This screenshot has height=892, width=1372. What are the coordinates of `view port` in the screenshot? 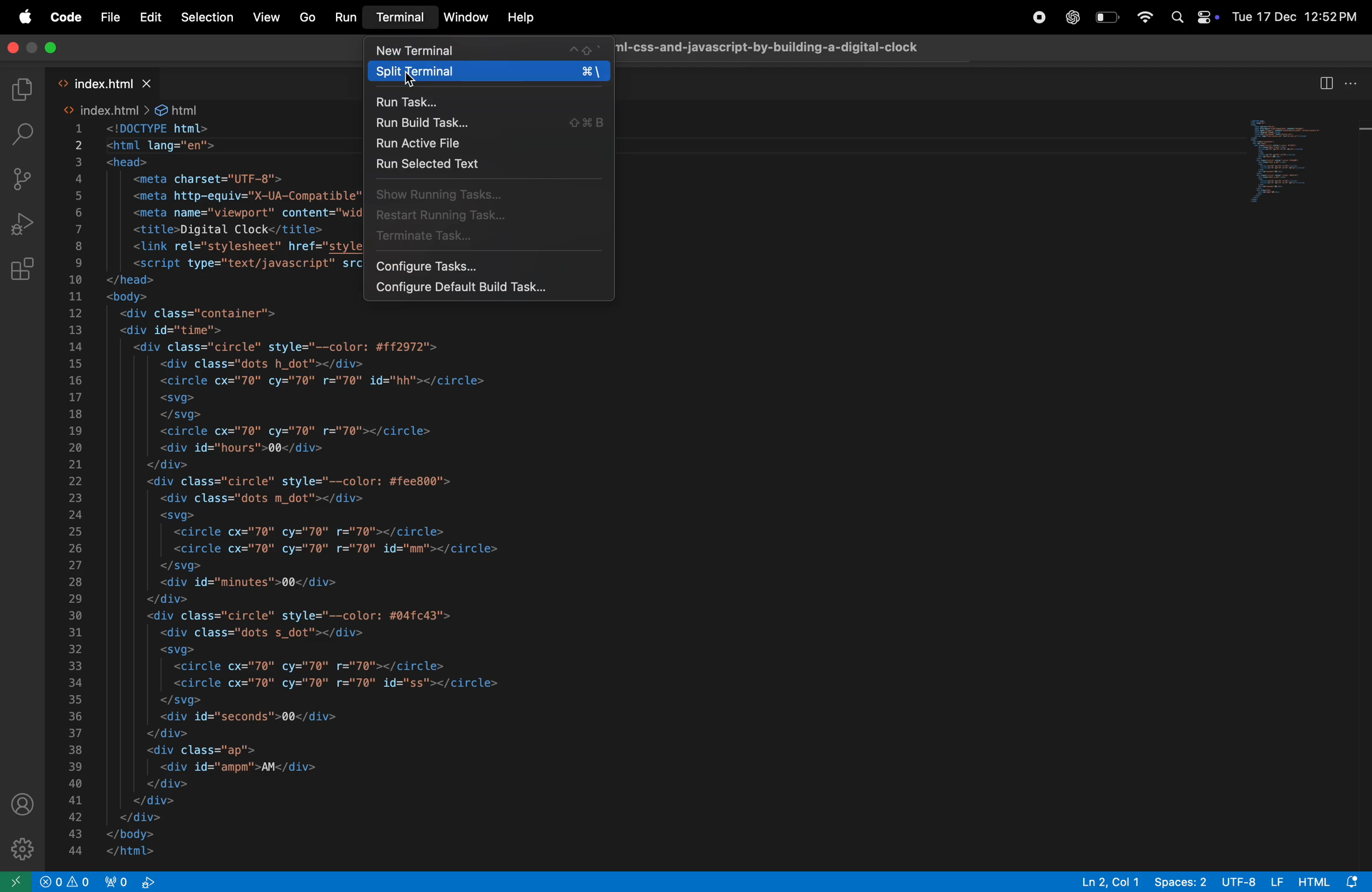 It's located at (138, 882).